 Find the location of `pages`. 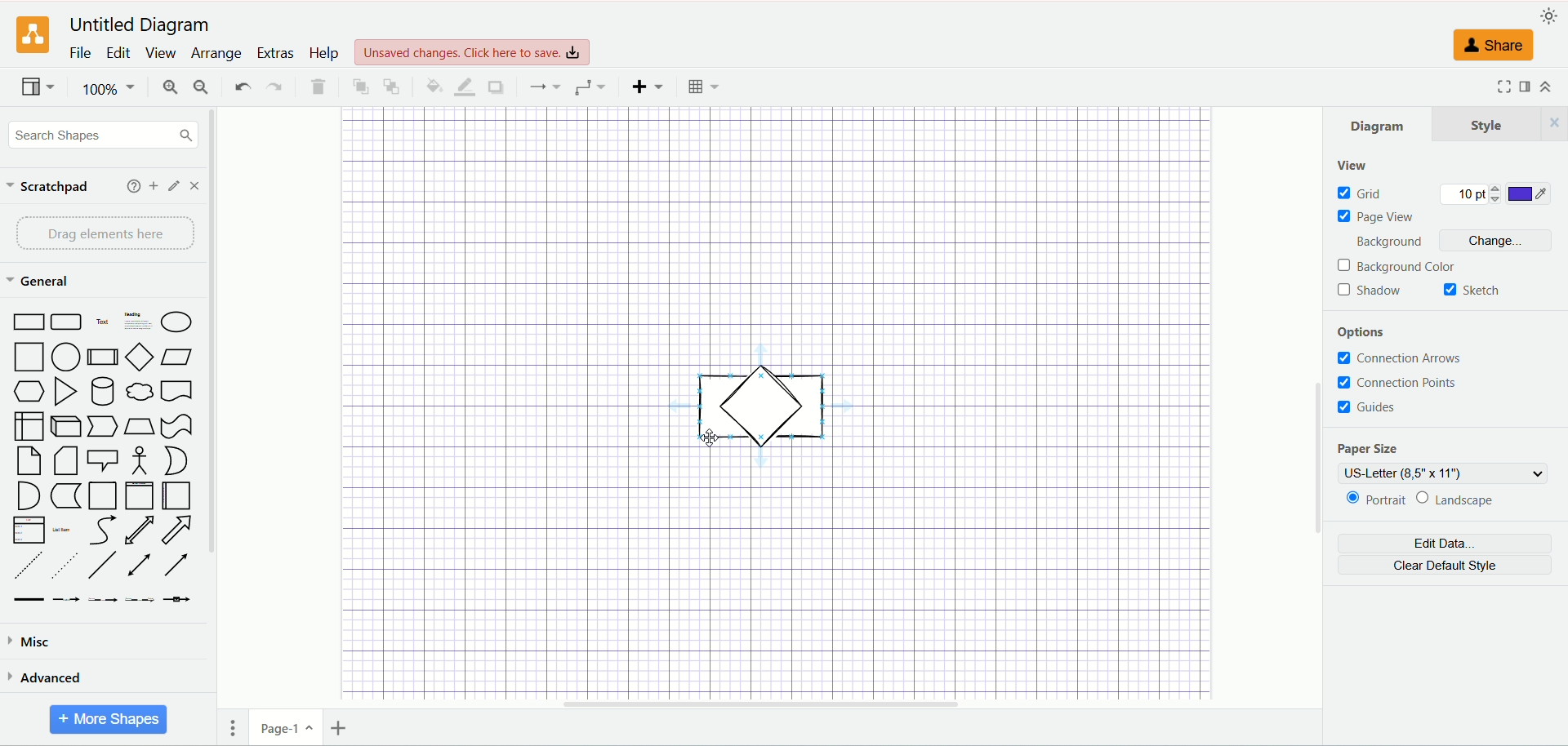

pages is located at coordinates (237, 725).